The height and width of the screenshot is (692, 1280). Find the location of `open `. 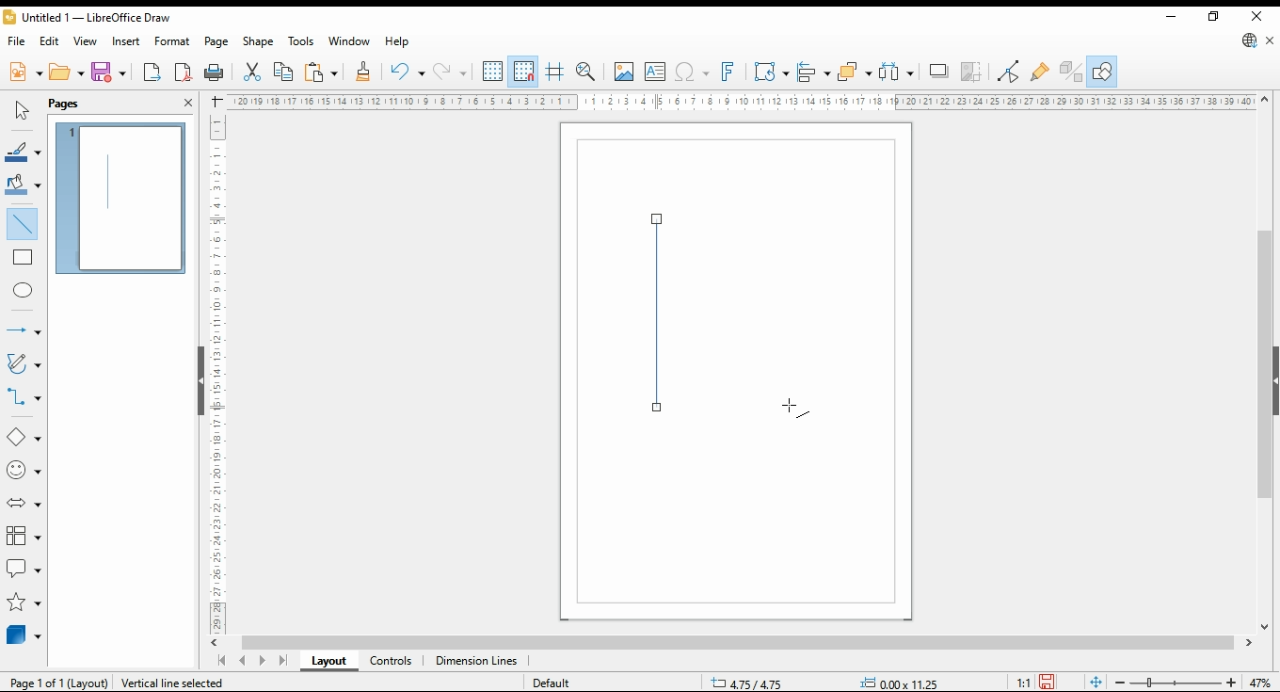

open  is located at coordinates (67, 72).